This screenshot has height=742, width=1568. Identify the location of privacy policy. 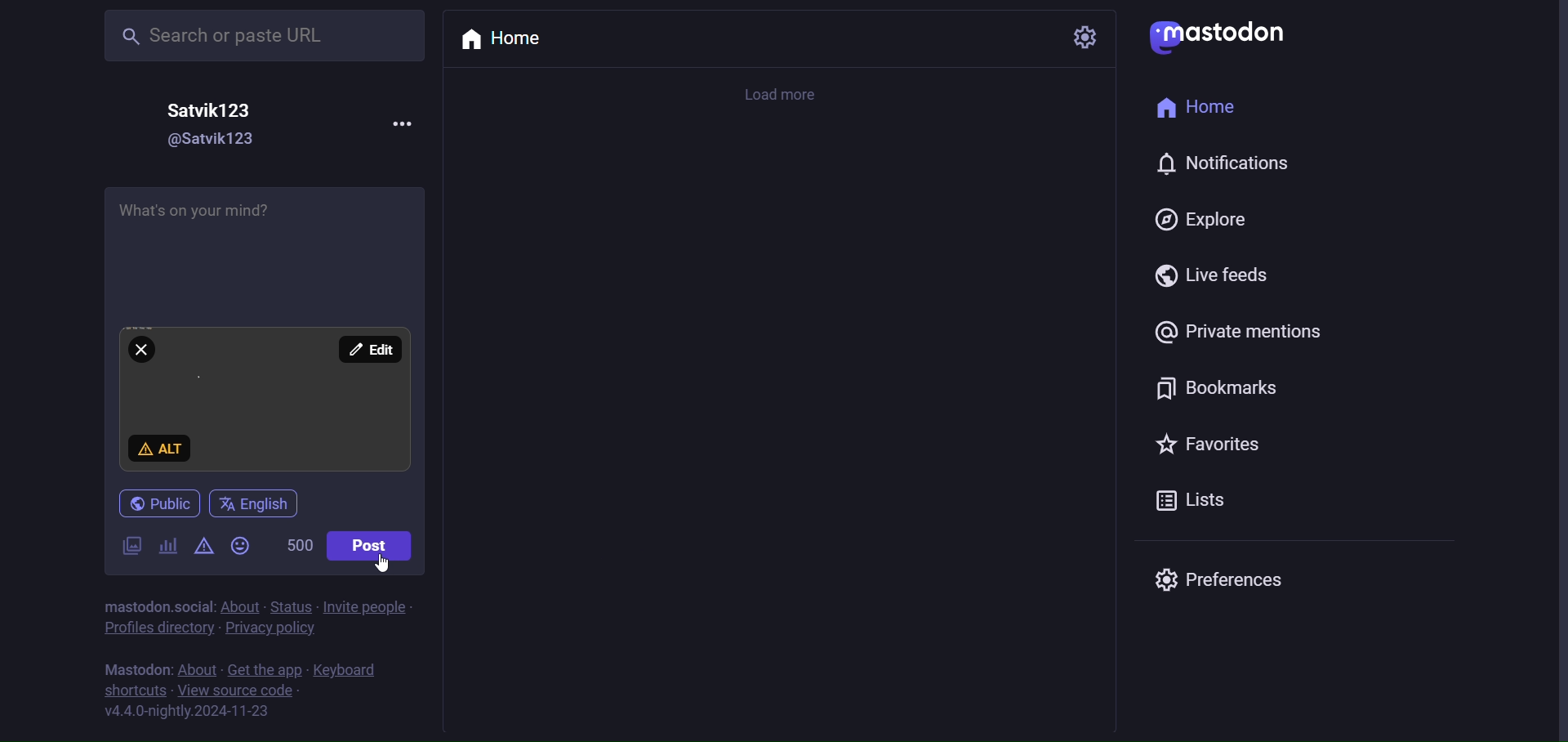
(269, 629).